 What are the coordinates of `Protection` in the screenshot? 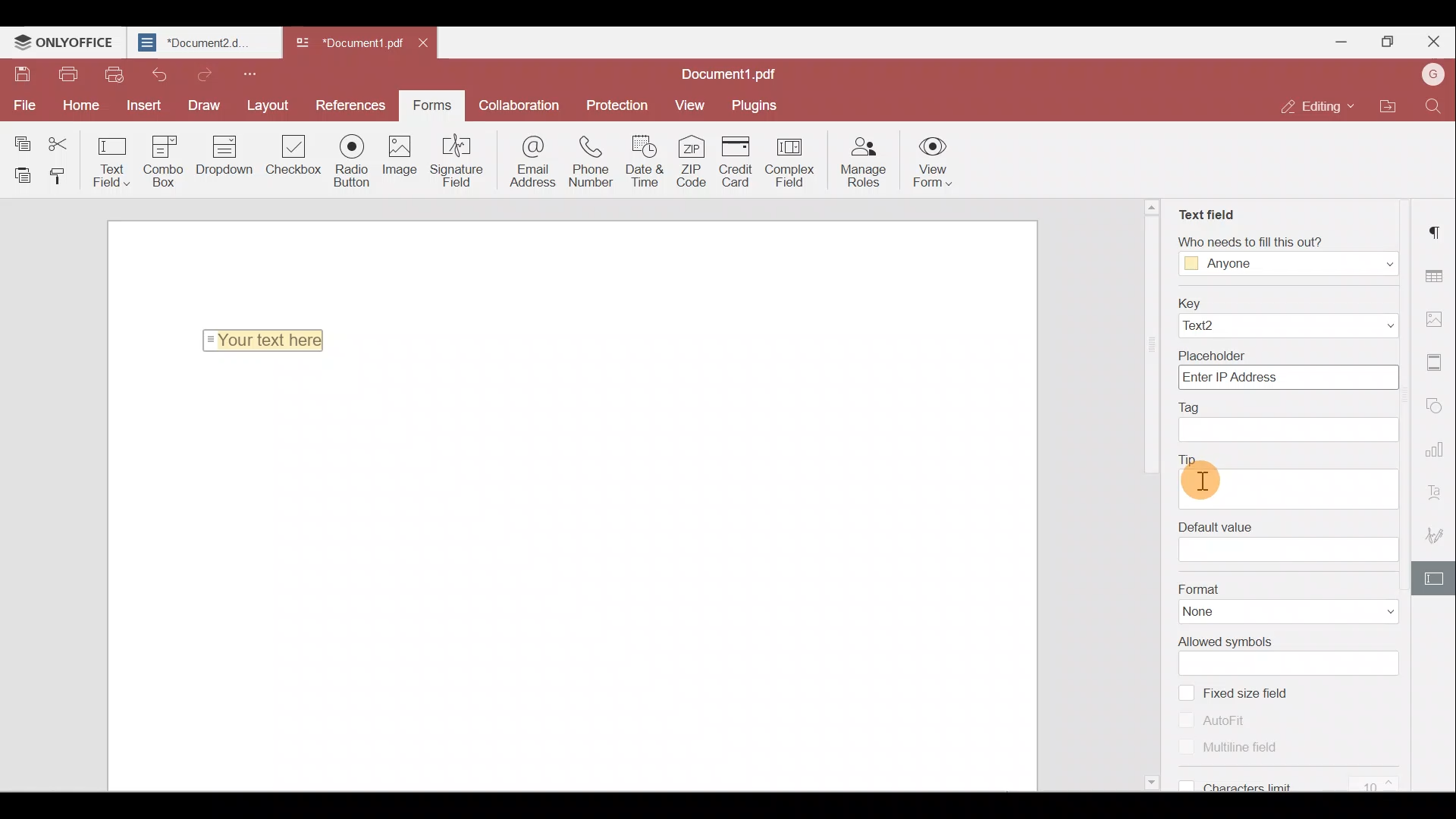 It's located at (622, 104).